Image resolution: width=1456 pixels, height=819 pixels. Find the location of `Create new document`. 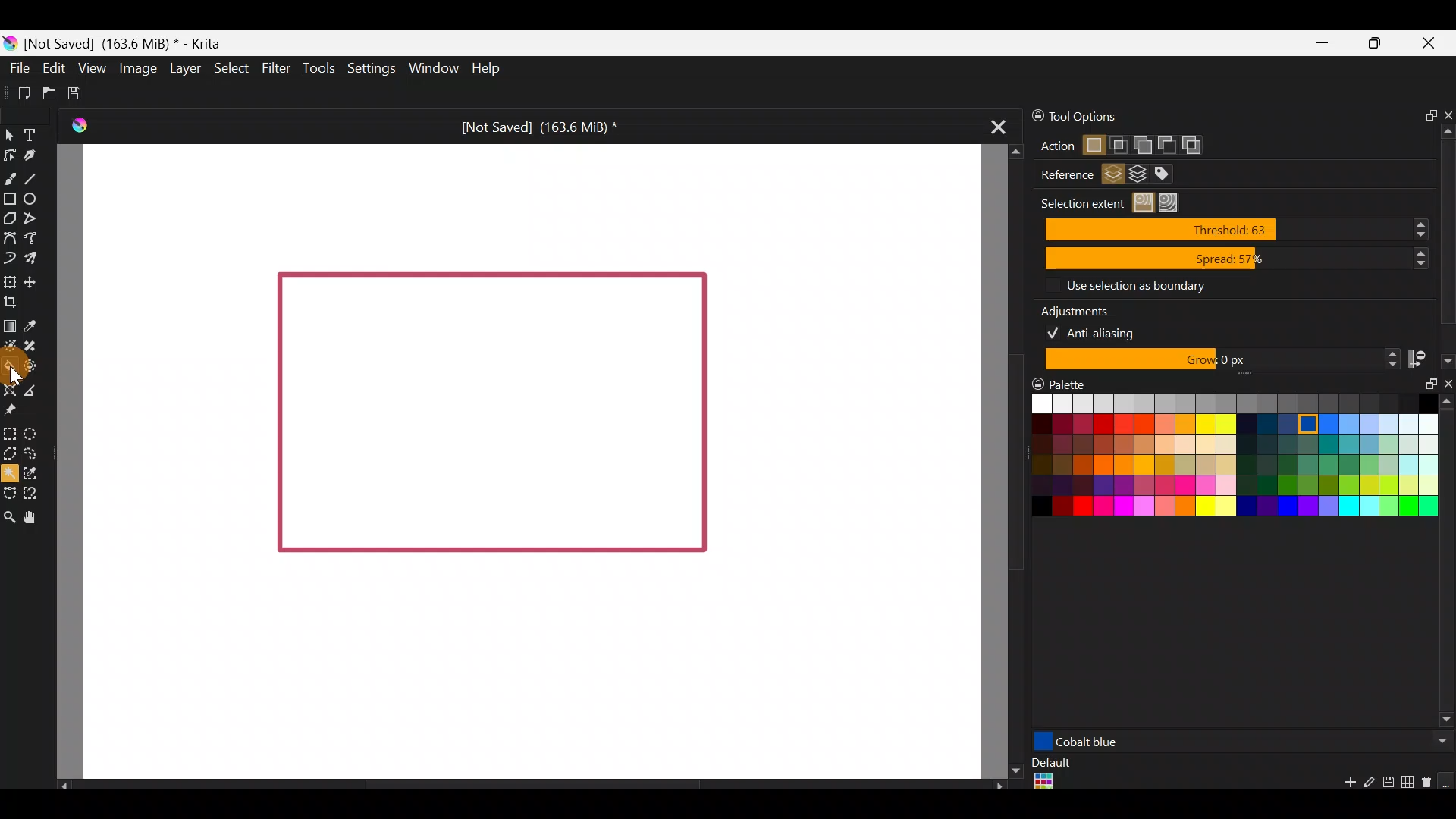

Create new document is located at coordinates (18, 92).